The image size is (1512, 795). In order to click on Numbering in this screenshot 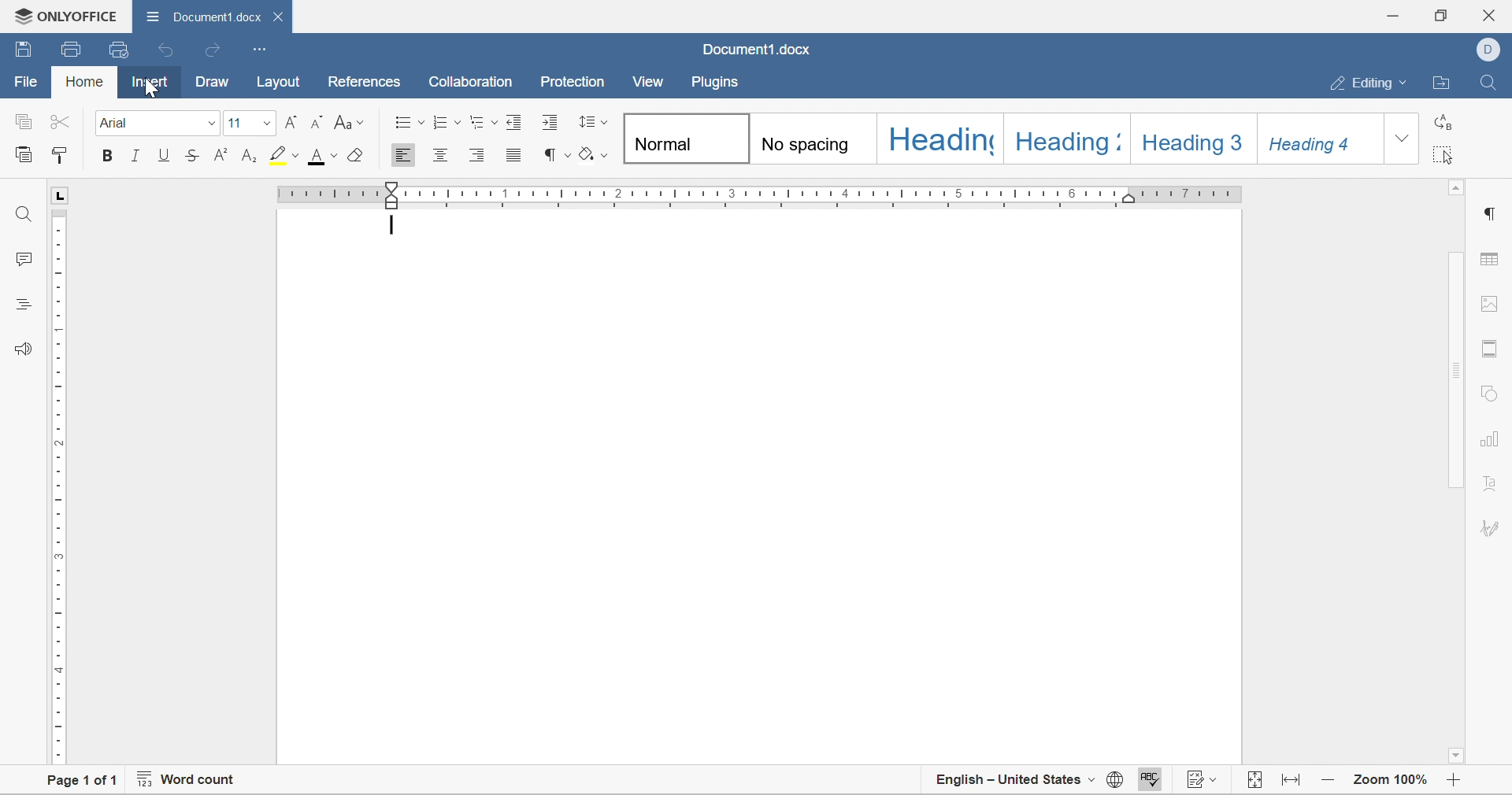, I will do `click(447, 120)`.